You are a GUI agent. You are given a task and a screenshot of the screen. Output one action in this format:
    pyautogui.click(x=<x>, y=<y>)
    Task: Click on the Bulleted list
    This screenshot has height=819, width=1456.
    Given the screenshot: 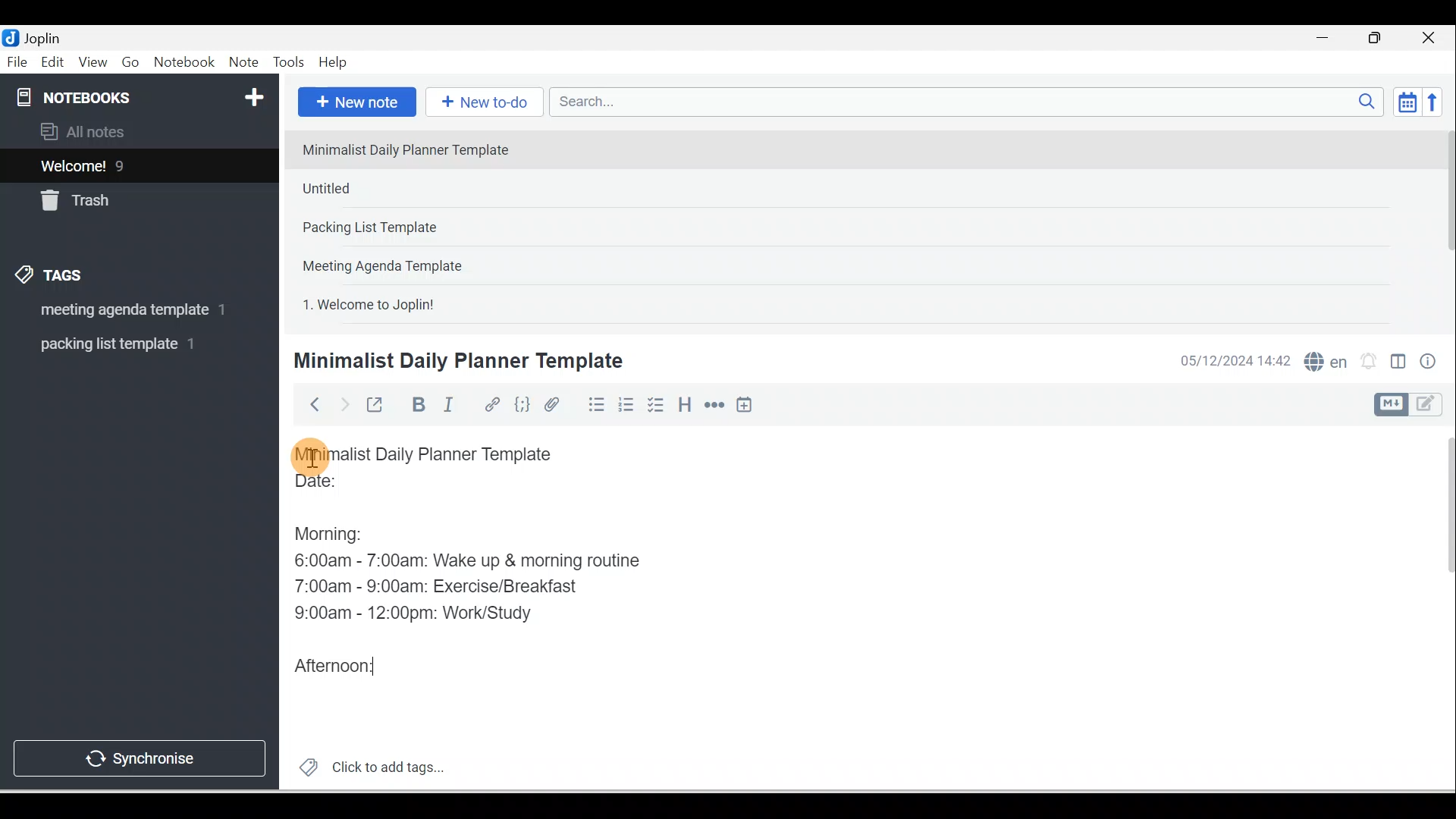 What is the action you would take?
    pyautogui.click(x=593, y=404)
    